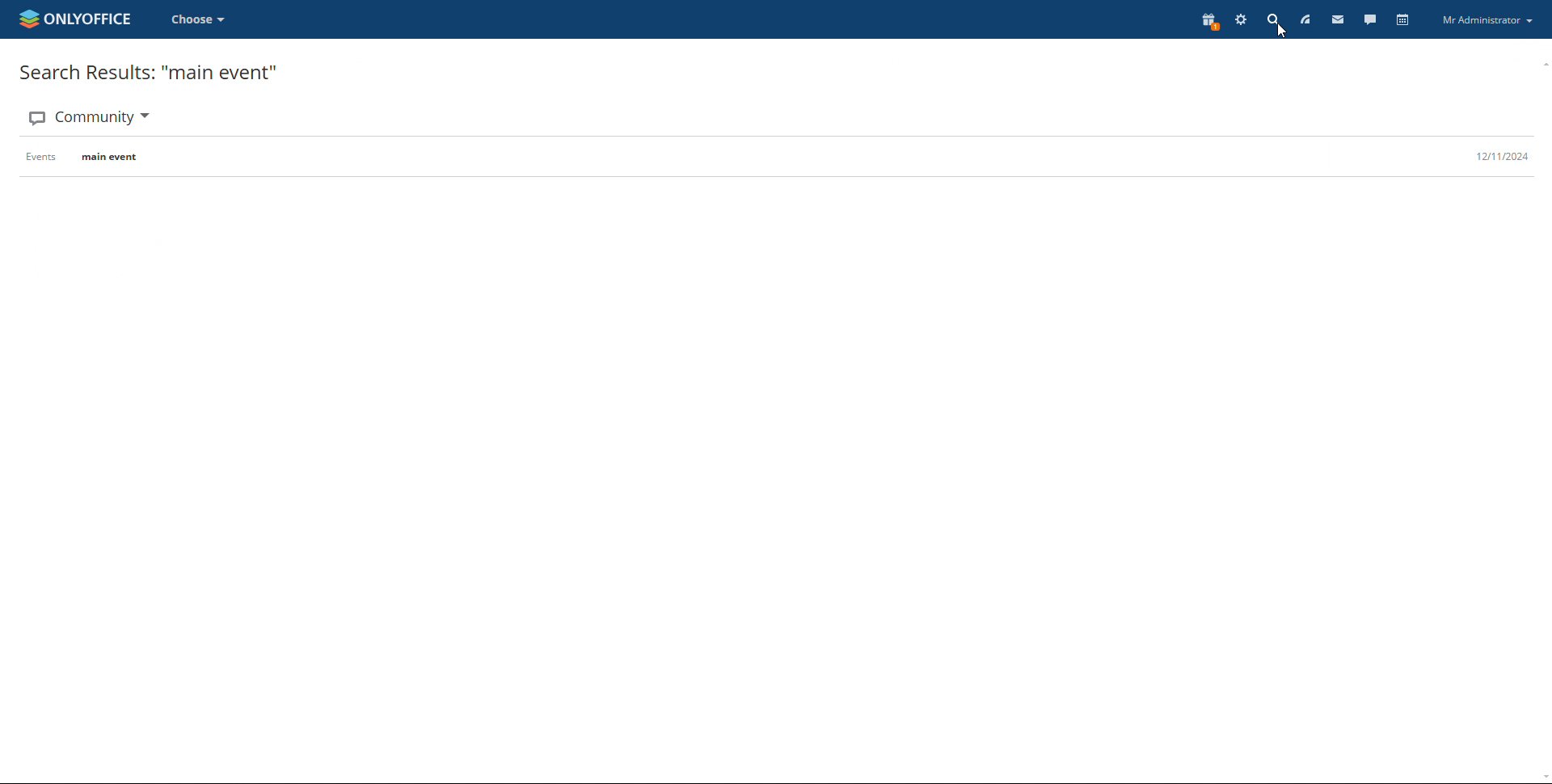 The width and height of the screenshot is (1552, 784). I want to click on events main event, so click(674, 156).